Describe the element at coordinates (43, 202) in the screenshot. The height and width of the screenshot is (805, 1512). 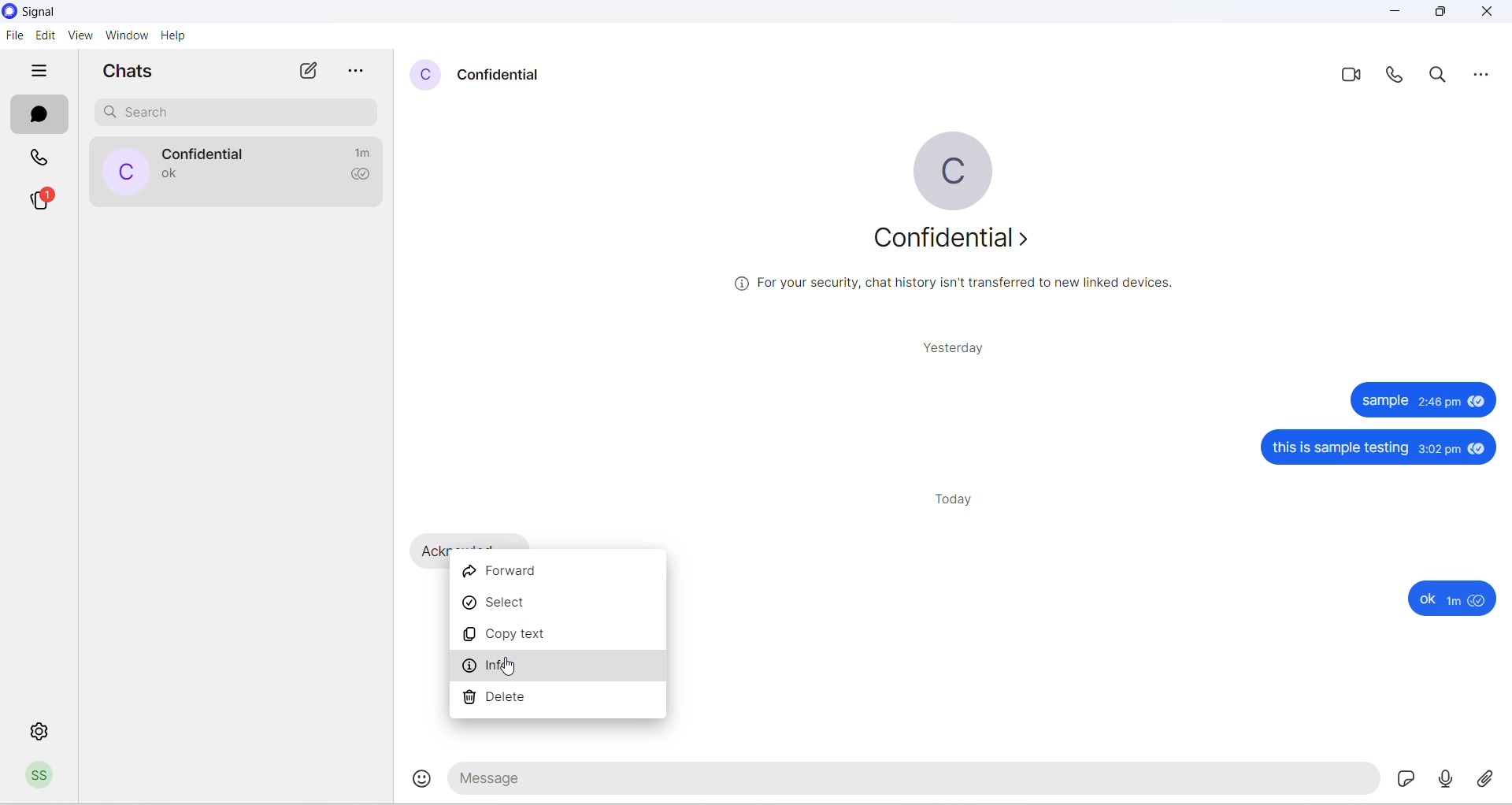
I see `stories` at that location.